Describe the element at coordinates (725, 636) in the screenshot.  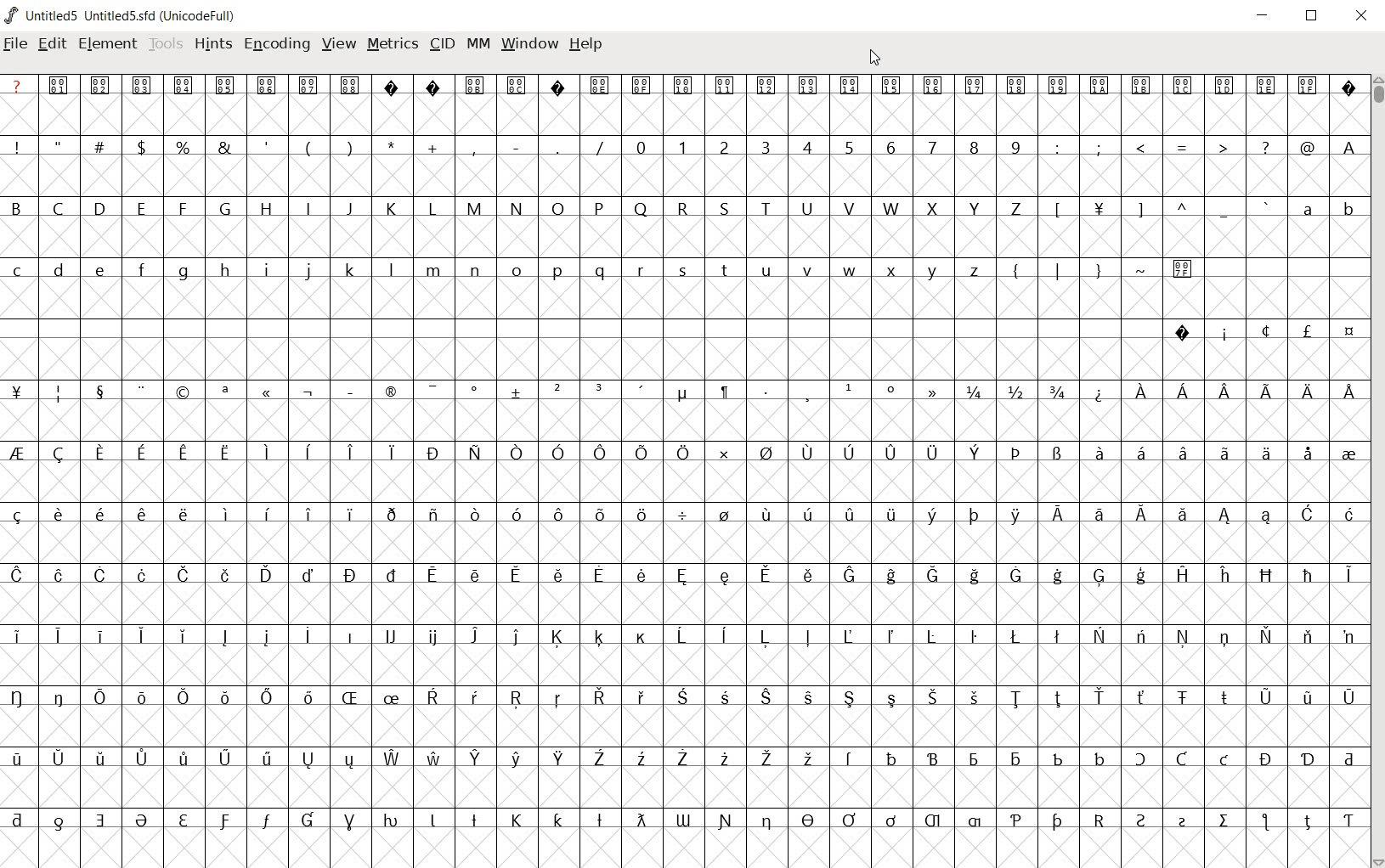
I see `Symbol` at that location.